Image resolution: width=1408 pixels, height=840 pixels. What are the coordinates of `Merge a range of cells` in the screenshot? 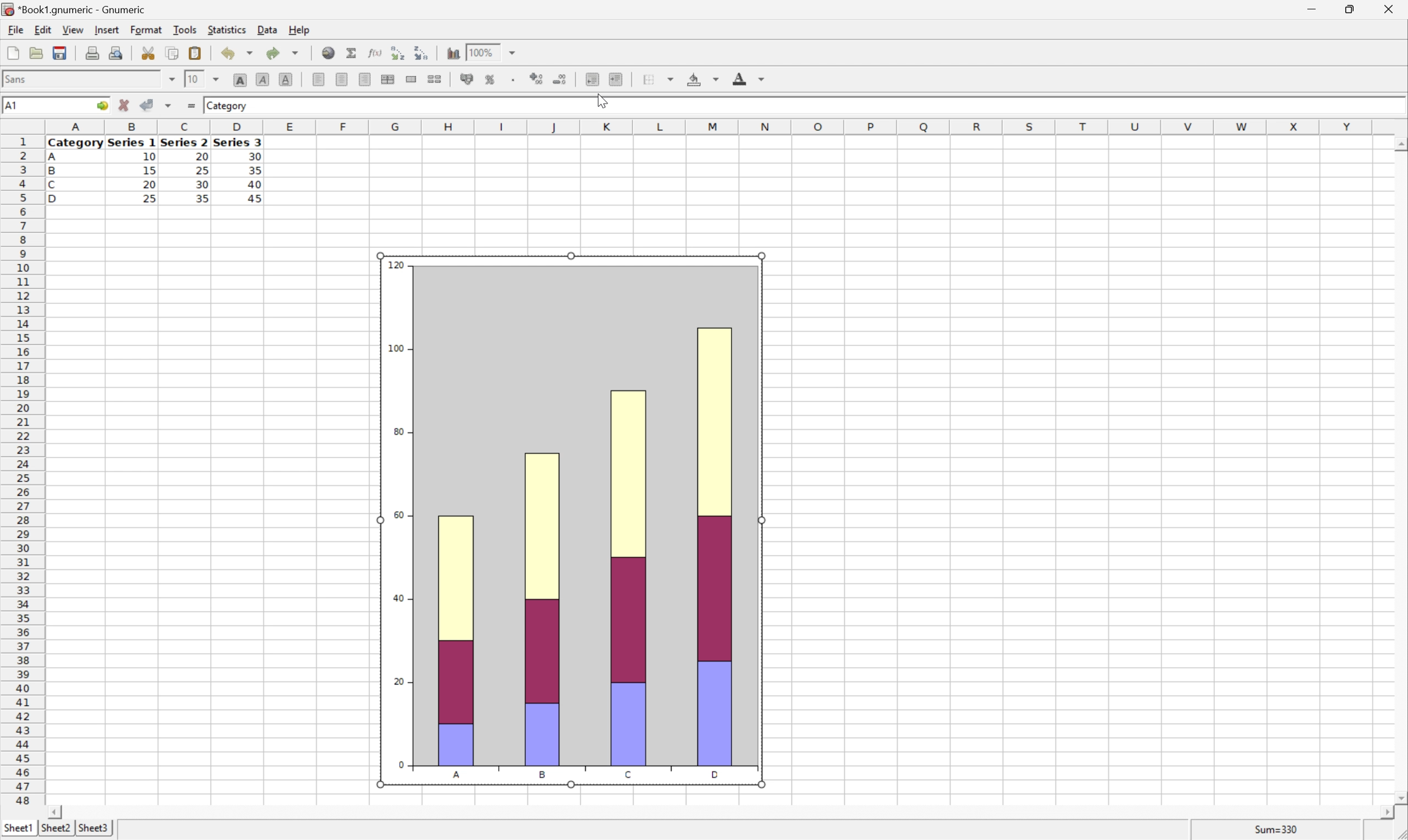 It's located at (410, 79).